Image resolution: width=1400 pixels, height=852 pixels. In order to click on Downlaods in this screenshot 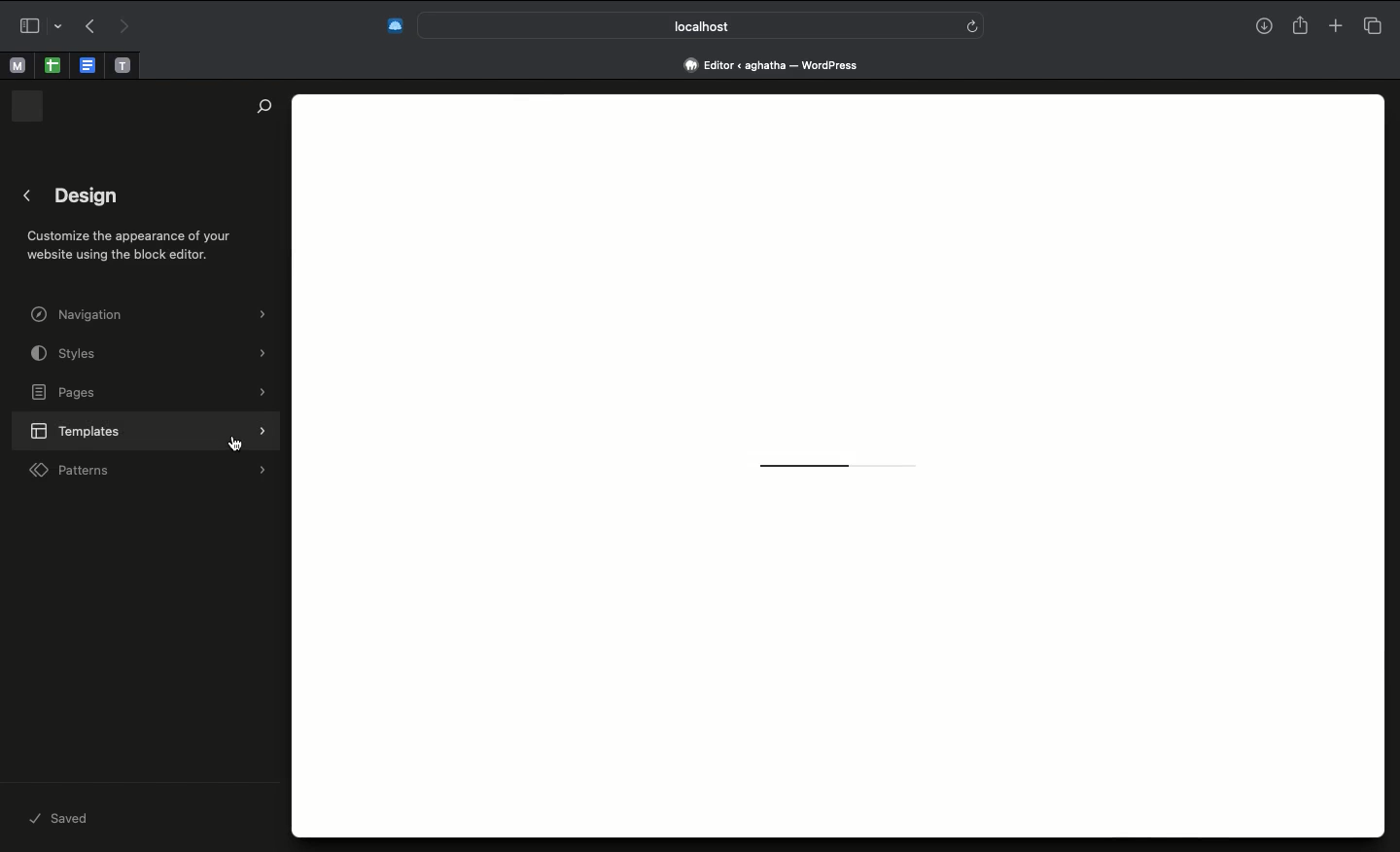, I will do `click(1264, 28)`.